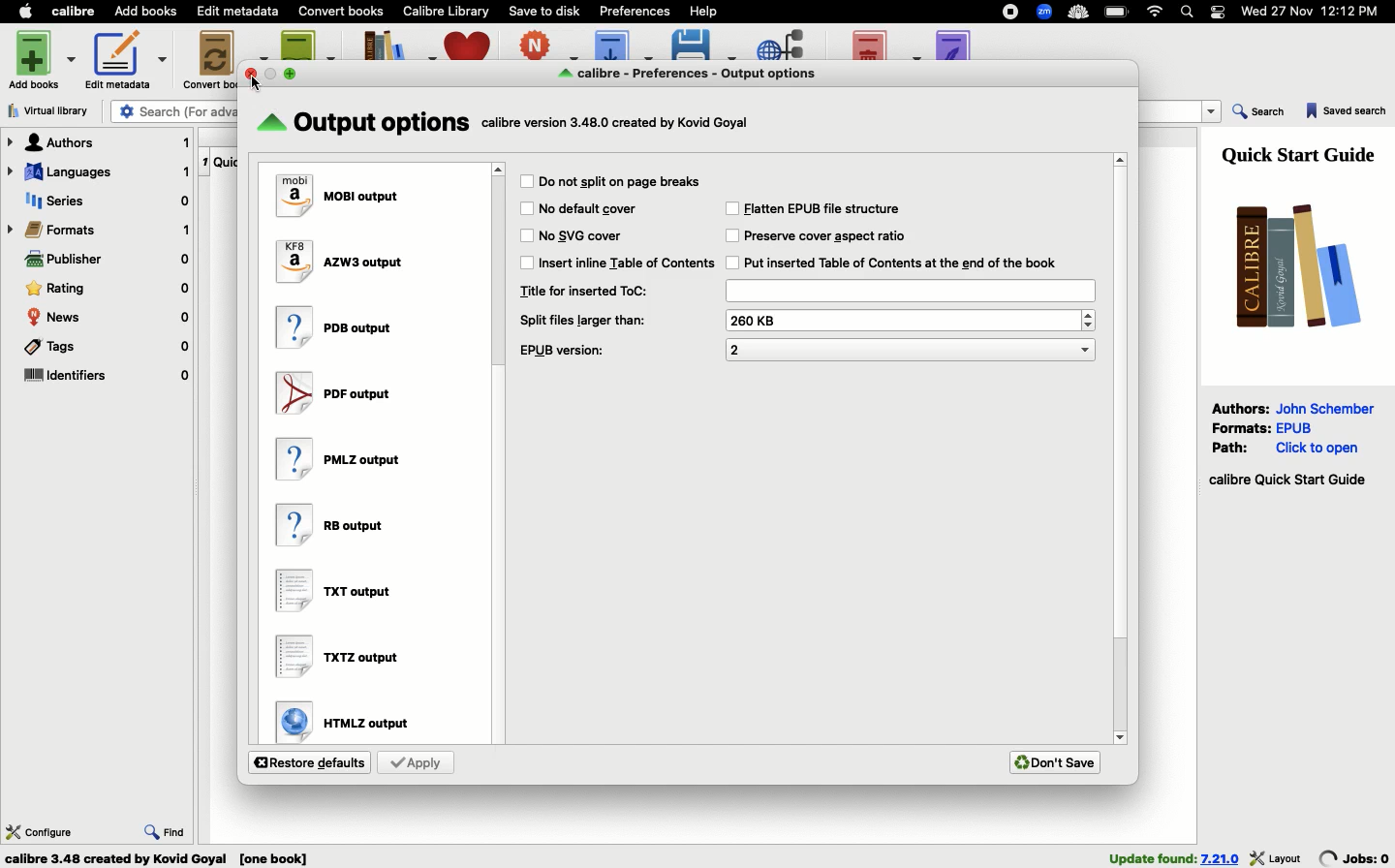 The height and width of the screenshot is (868, 1395). What do you see at coordinates (1213, 112) in the screenshot?
I see `dropdown` at bounding box center [1213, 112].